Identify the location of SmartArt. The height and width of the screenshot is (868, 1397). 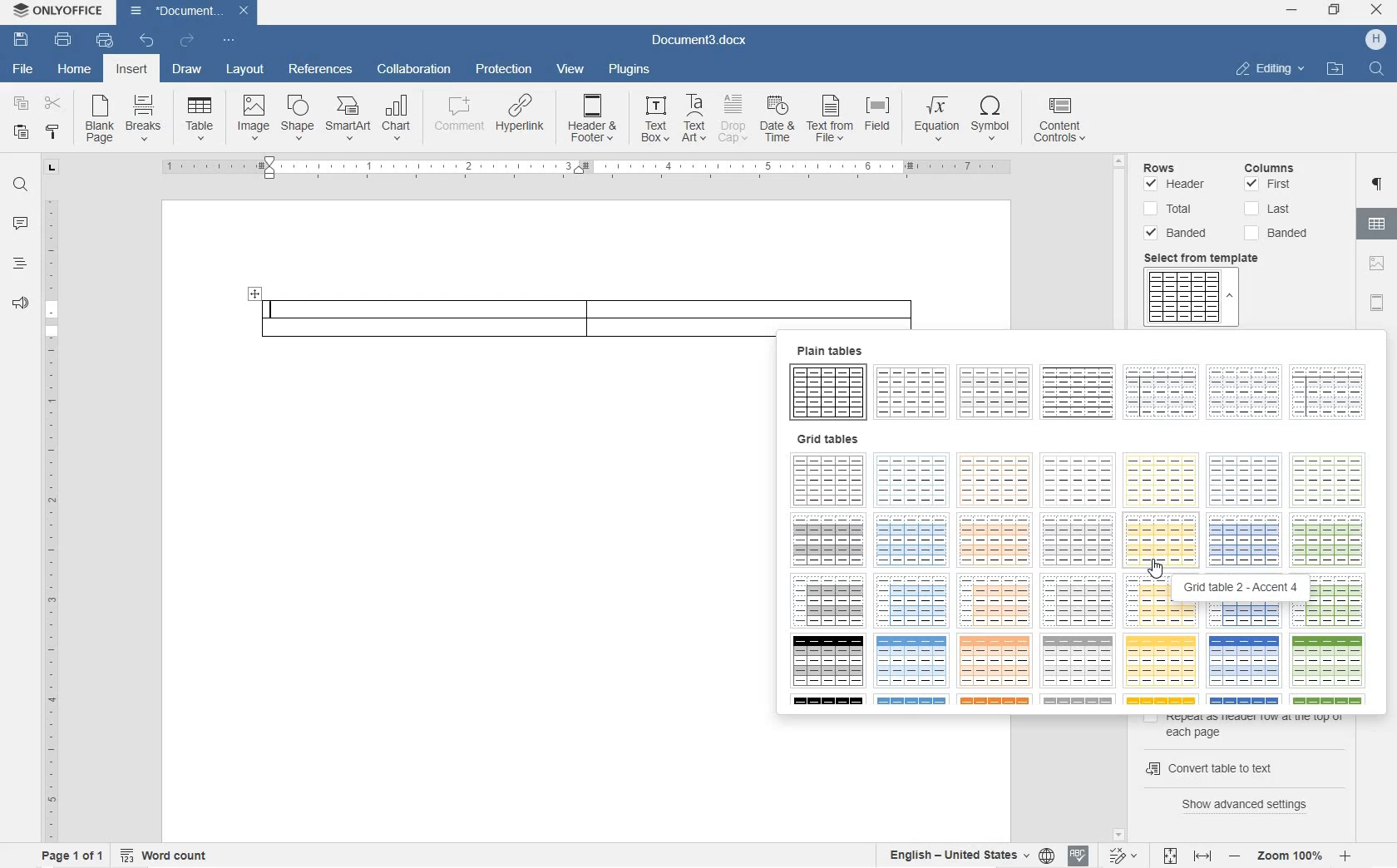
(347, 120).